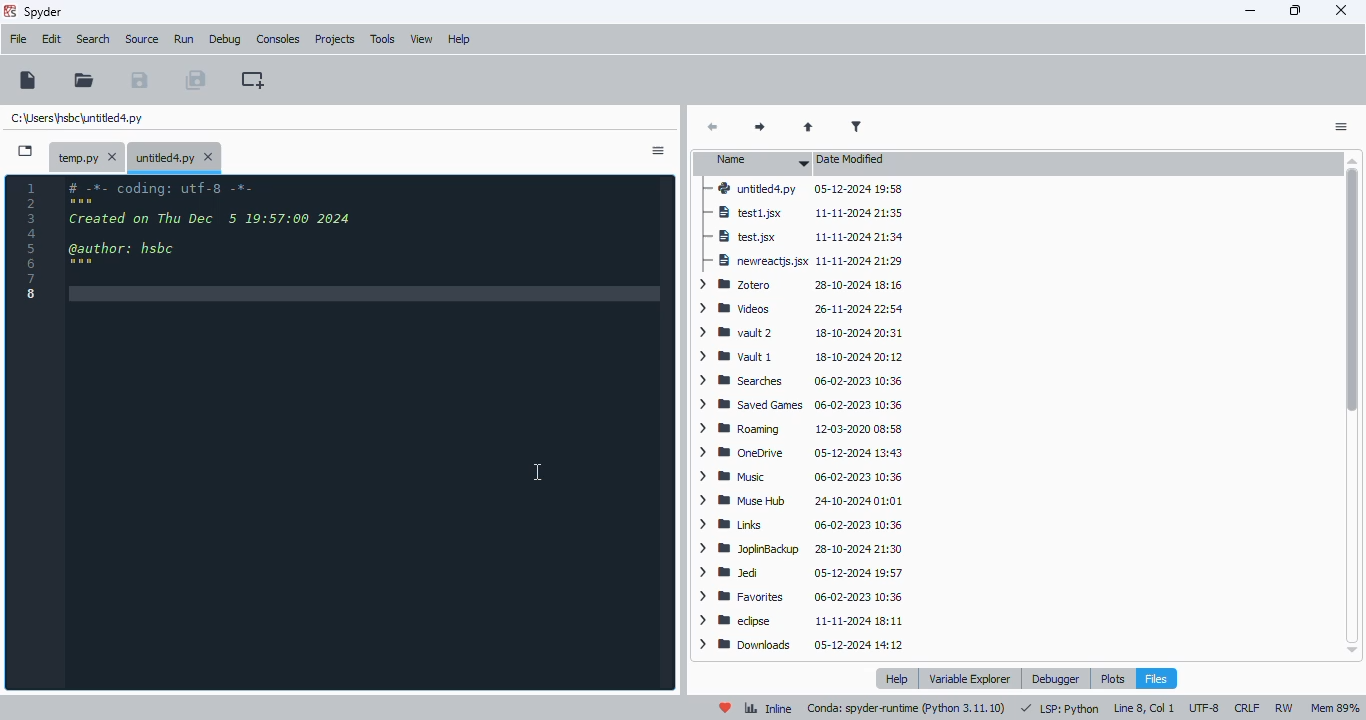 This screenshot has width=1366, height=720. What do you see at coordinates (278, 38) in the screenshot?
I see `consoles` at bounding box center [278, 38].